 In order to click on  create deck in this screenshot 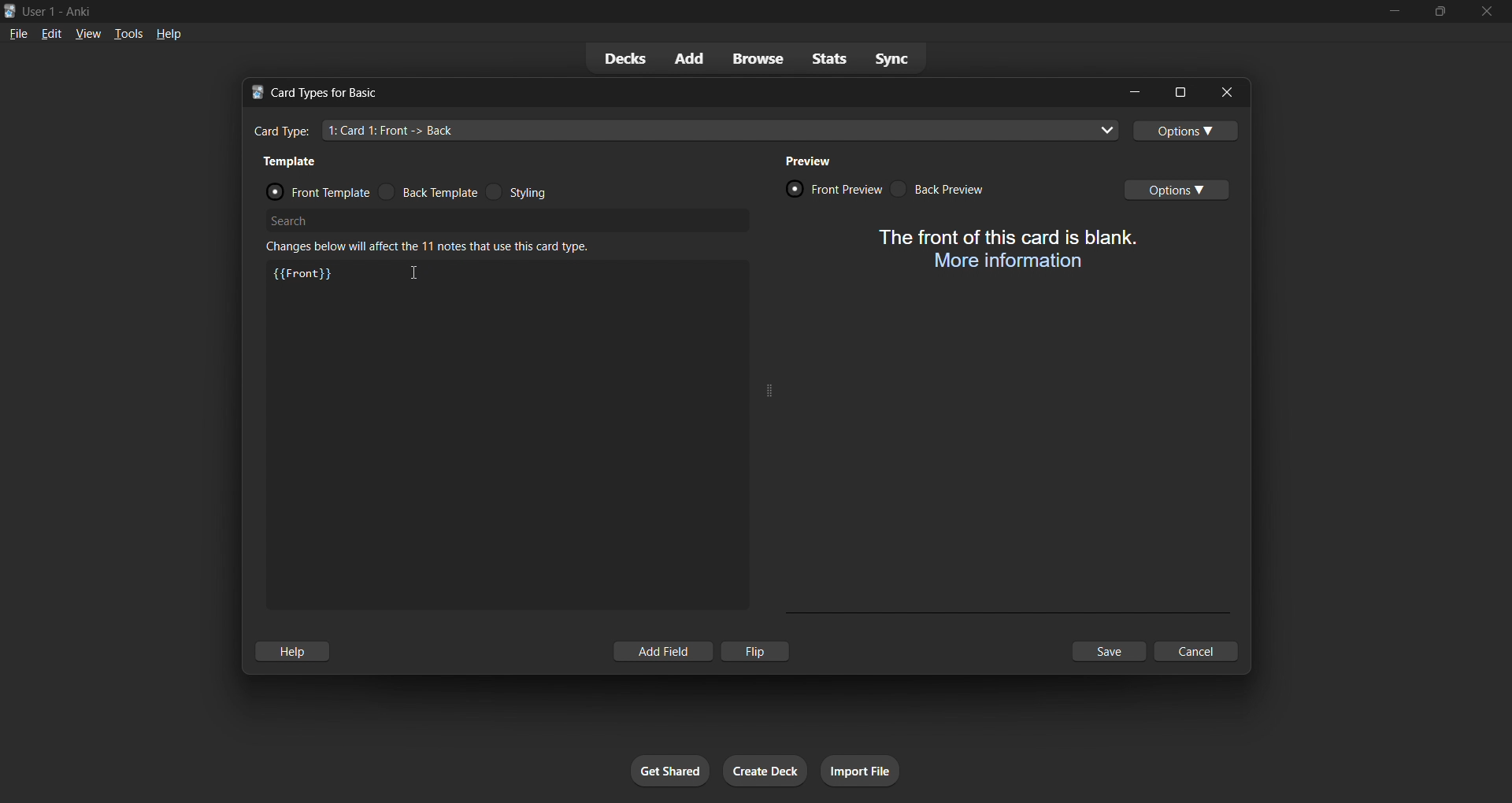, I will do `click(765, 770)`.